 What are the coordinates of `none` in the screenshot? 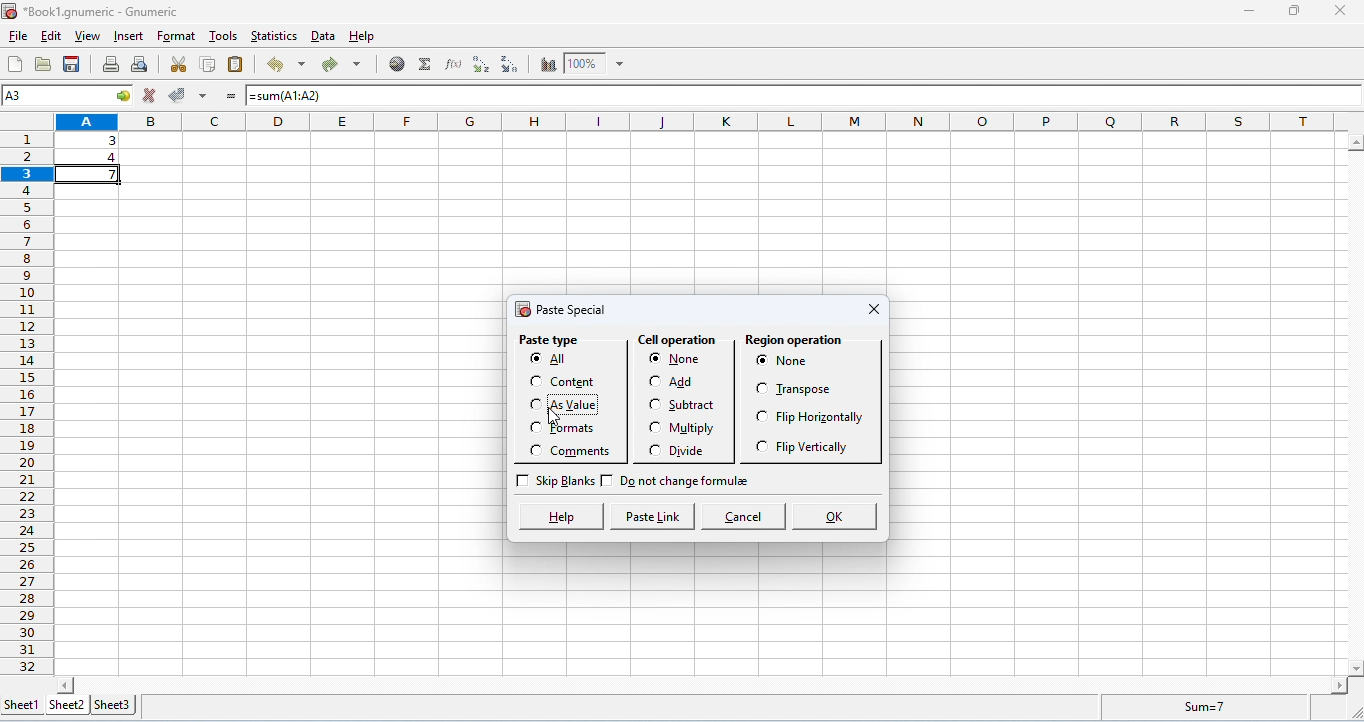 It's located at (815, 361).